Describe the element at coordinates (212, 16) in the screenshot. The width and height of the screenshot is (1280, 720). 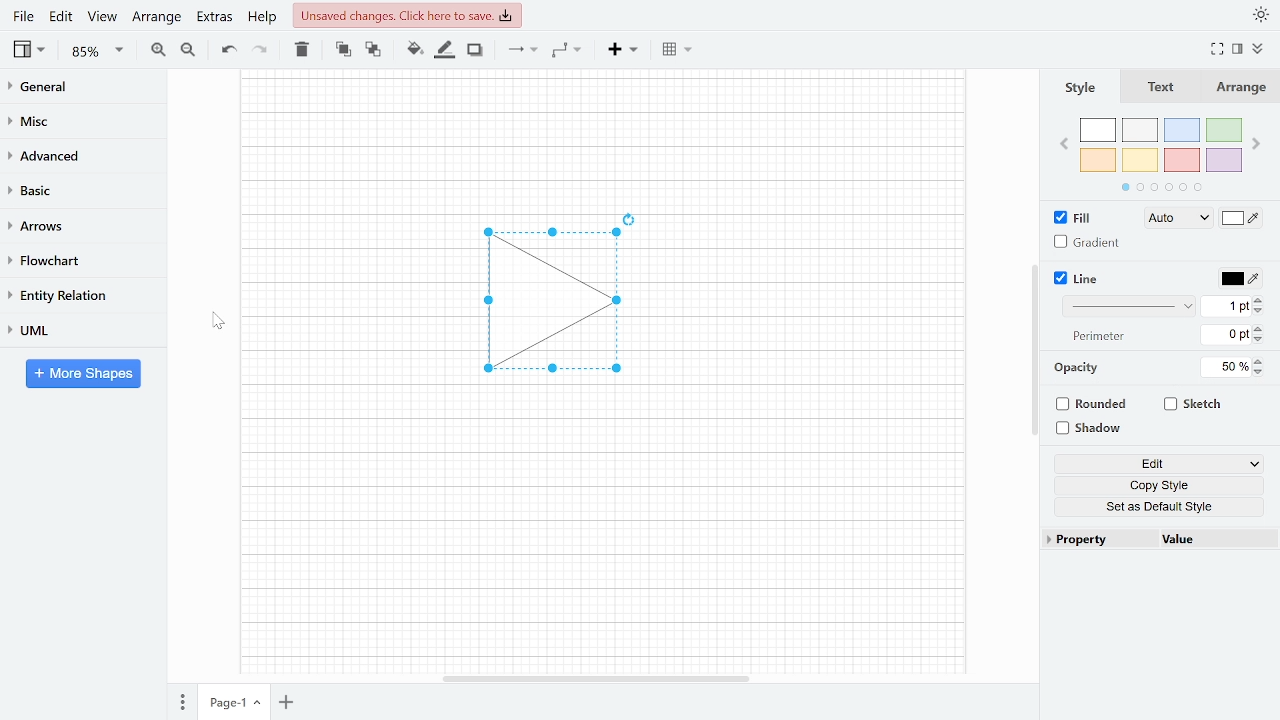
I see `Extras` at that location.